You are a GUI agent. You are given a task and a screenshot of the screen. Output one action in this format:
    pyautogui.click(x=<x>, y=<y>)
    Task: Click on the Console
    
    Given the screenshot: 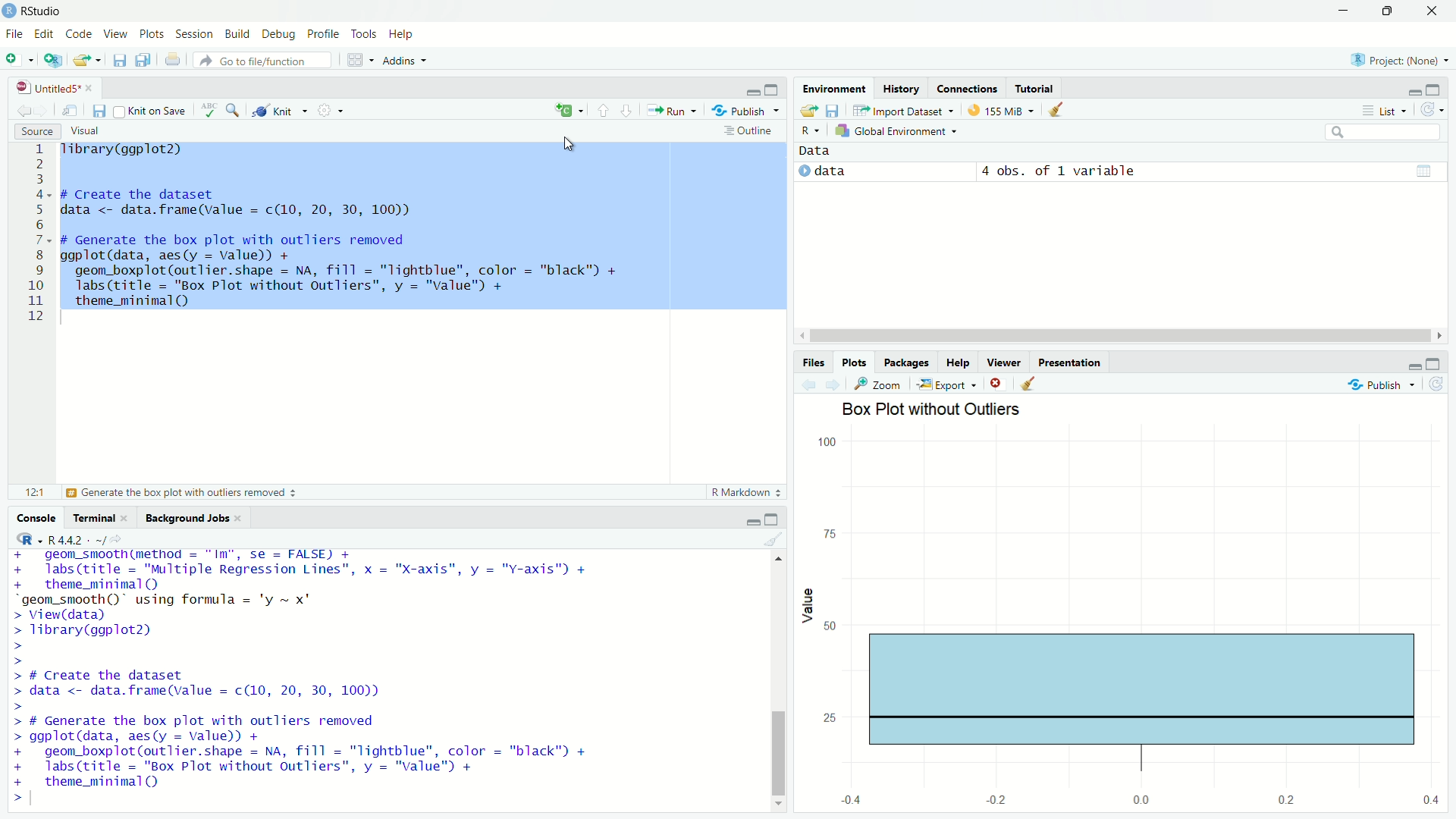 What is the action you would take?
    pyautogui.click(x=36, y=519)
    